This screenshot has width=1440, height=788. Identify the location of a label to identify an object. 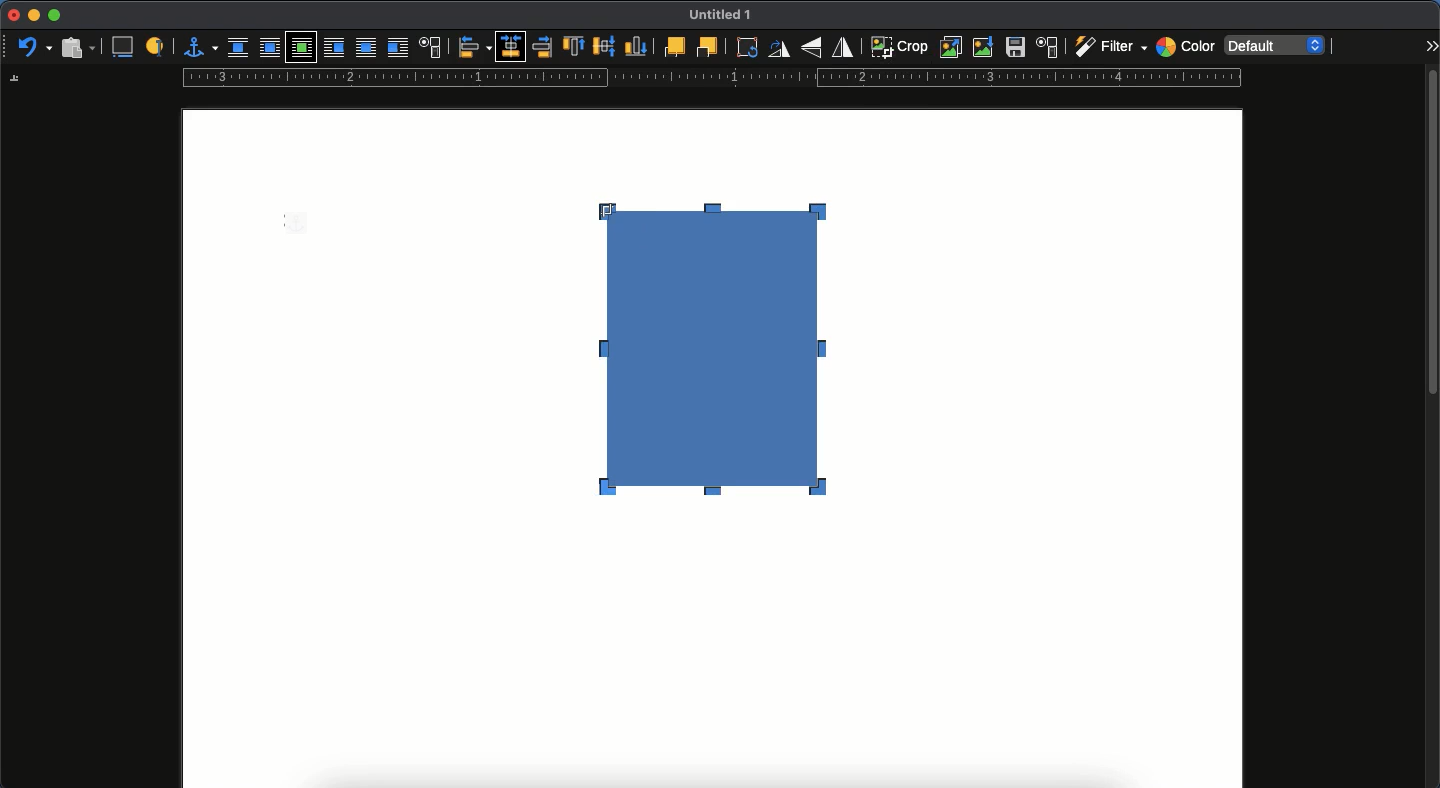
(157, 45).